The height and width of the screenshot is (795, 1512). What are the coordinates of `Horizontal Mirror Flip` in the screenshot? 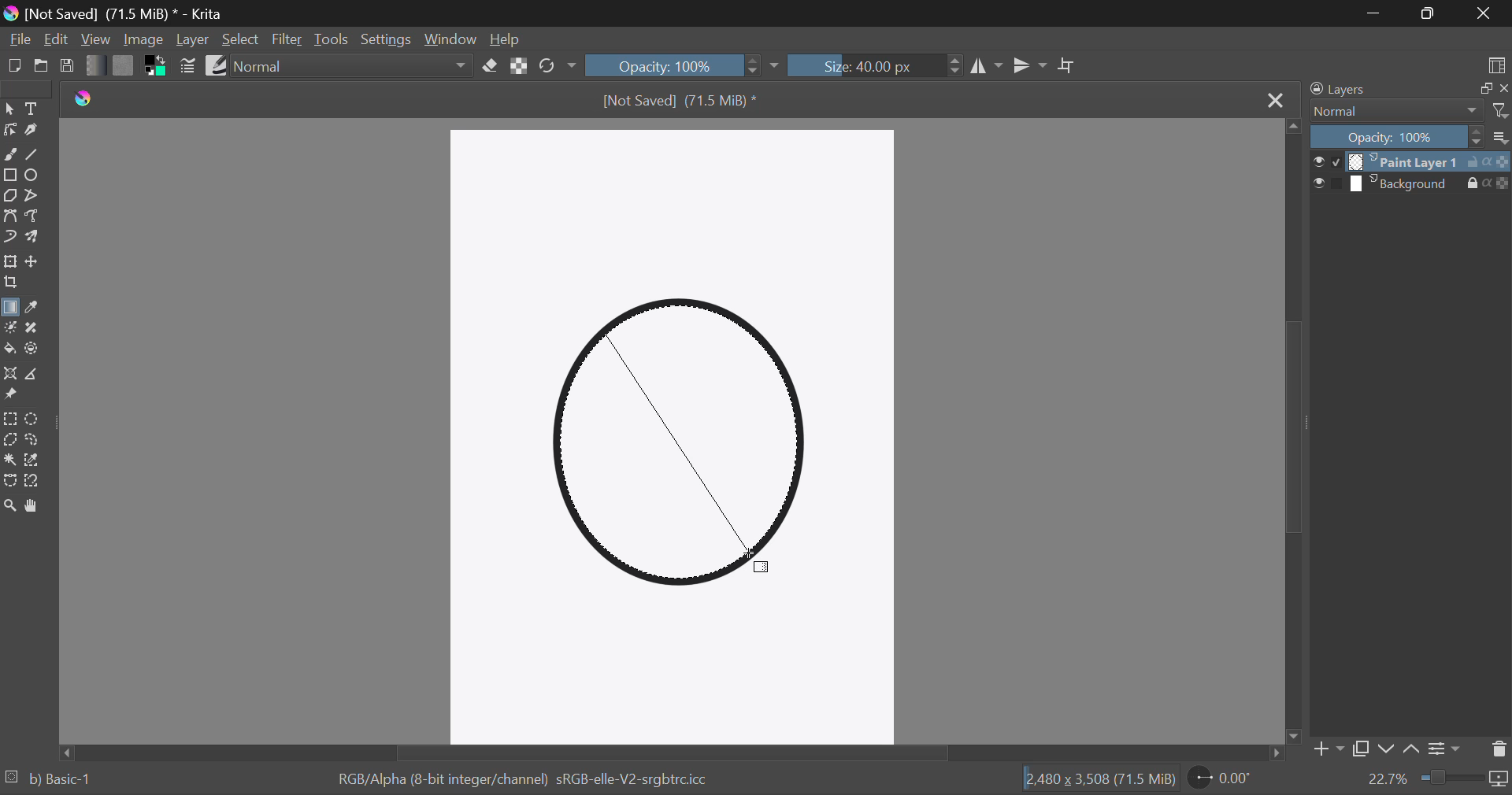 It's located at (1032, 68).